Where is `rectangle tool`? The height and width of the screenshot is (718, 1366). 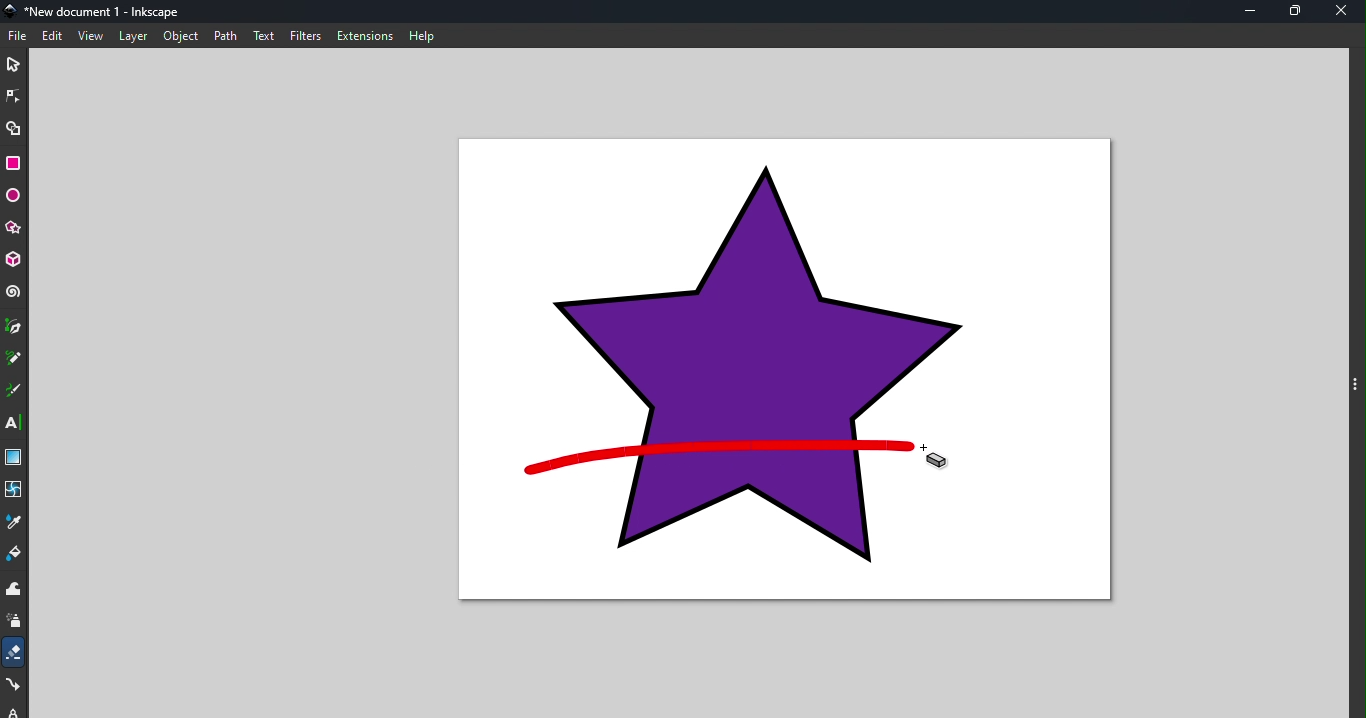
rectangle tool is located at coordinates (14, 162).